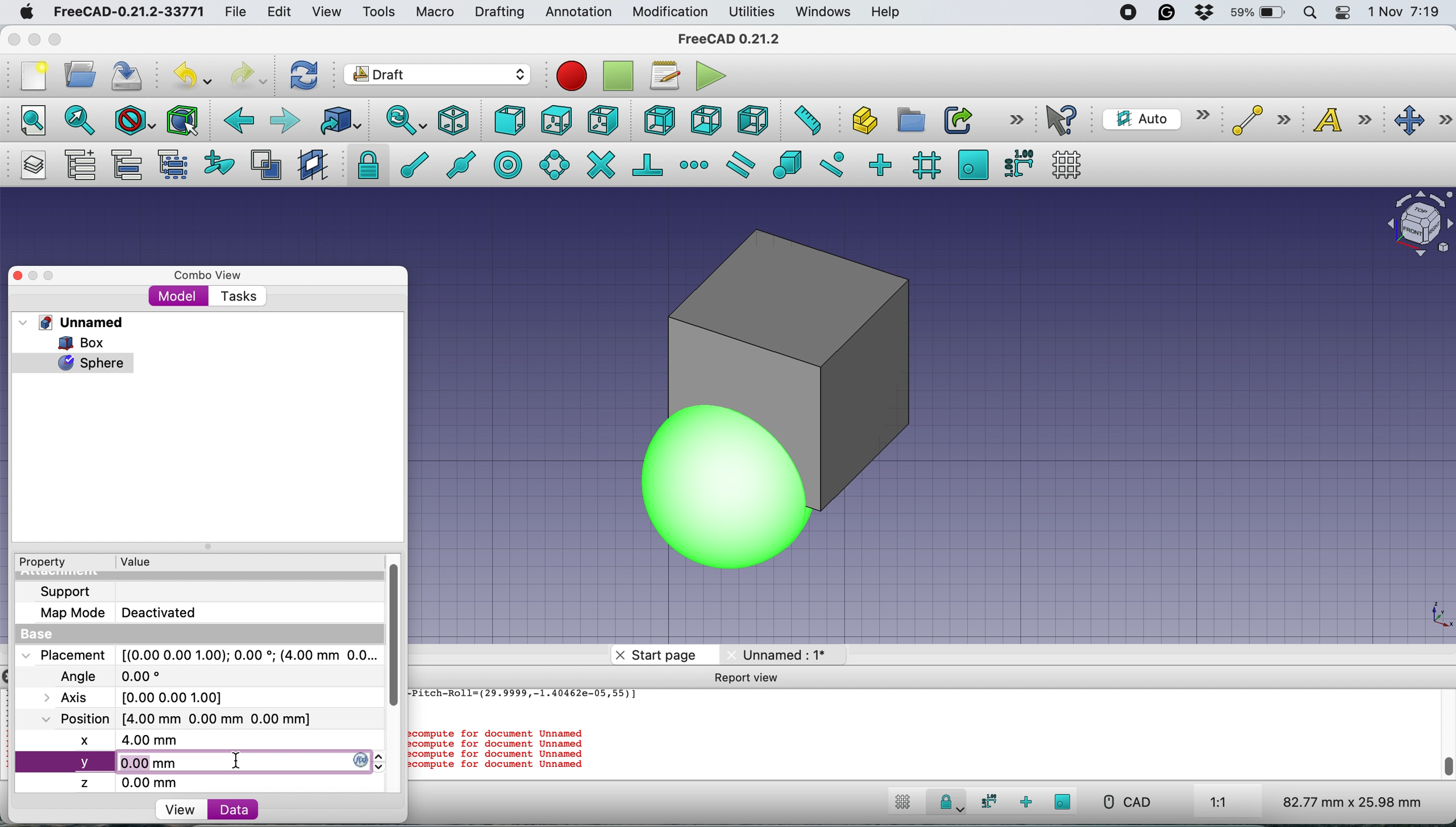  What do you see at coordinates (233, 809) in the screenshot?
I see `data` at bounding box center [233, 809].